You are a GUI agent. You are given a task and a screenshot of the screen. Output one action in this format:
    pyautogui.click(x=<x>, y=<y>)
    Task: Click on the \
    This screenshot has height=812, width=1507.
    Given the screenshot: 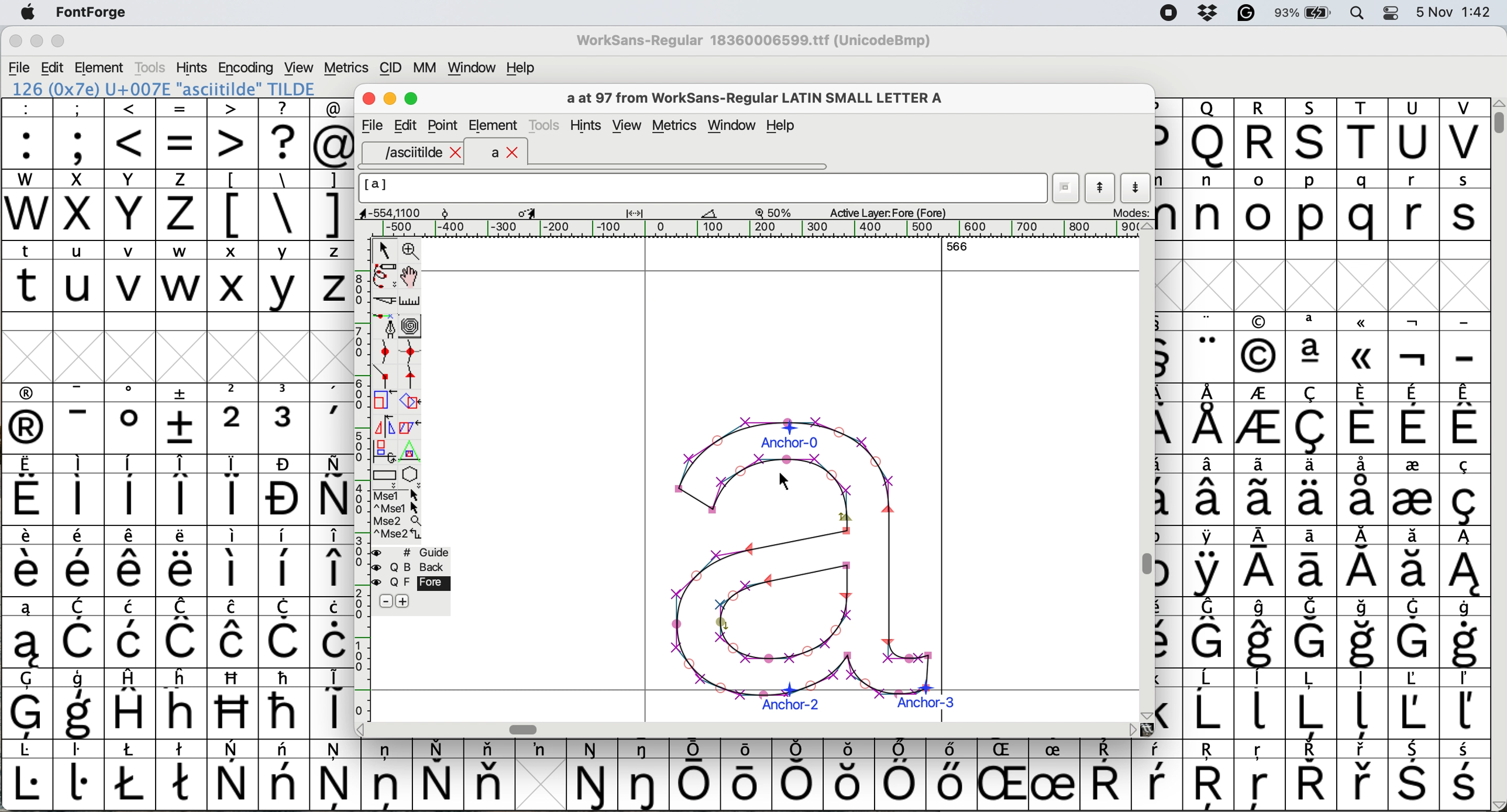 What is the action you would take?
    pyautogui.click(x=283, y=205)
    